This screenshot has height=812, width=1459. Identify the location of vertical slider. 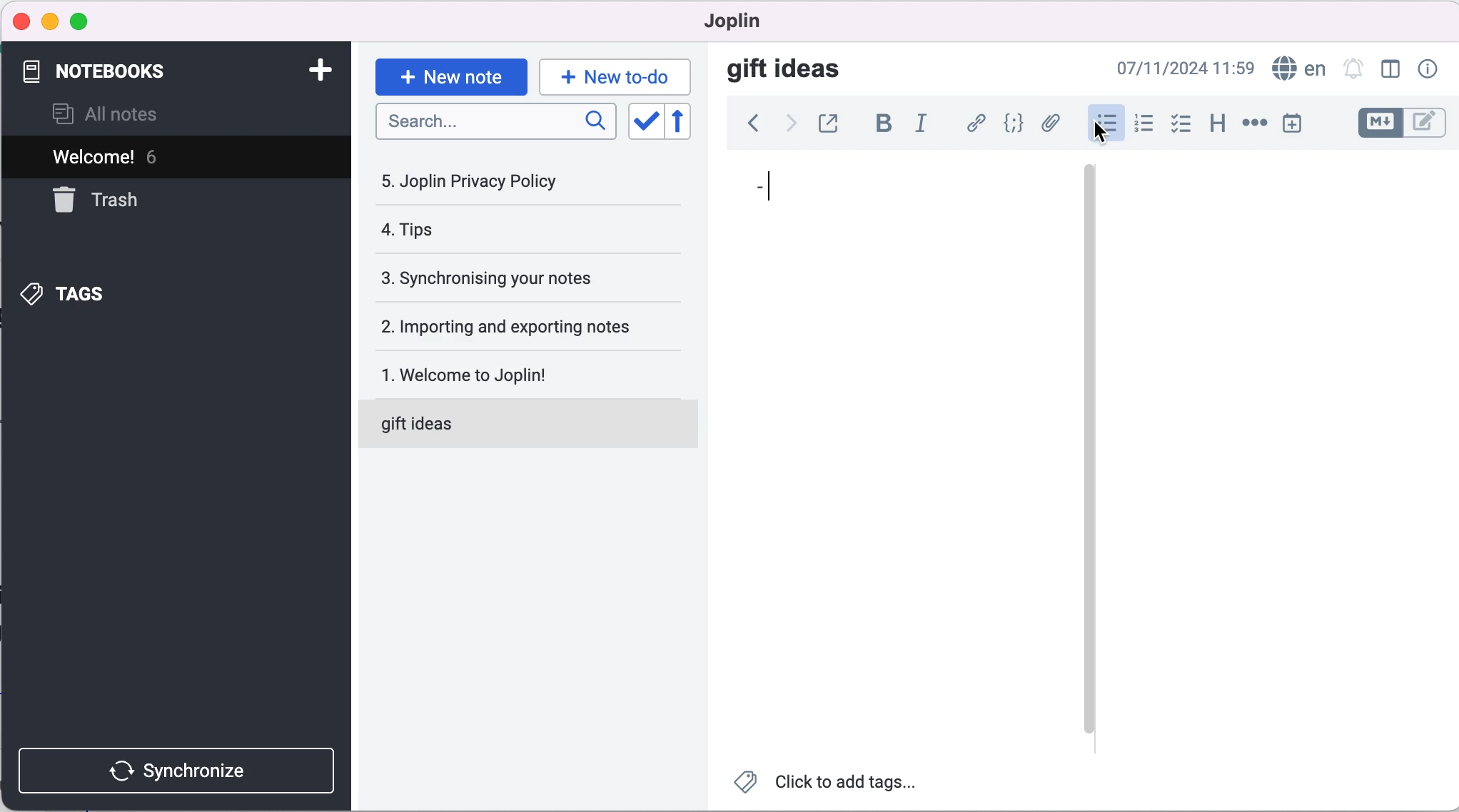
(1089, 213).